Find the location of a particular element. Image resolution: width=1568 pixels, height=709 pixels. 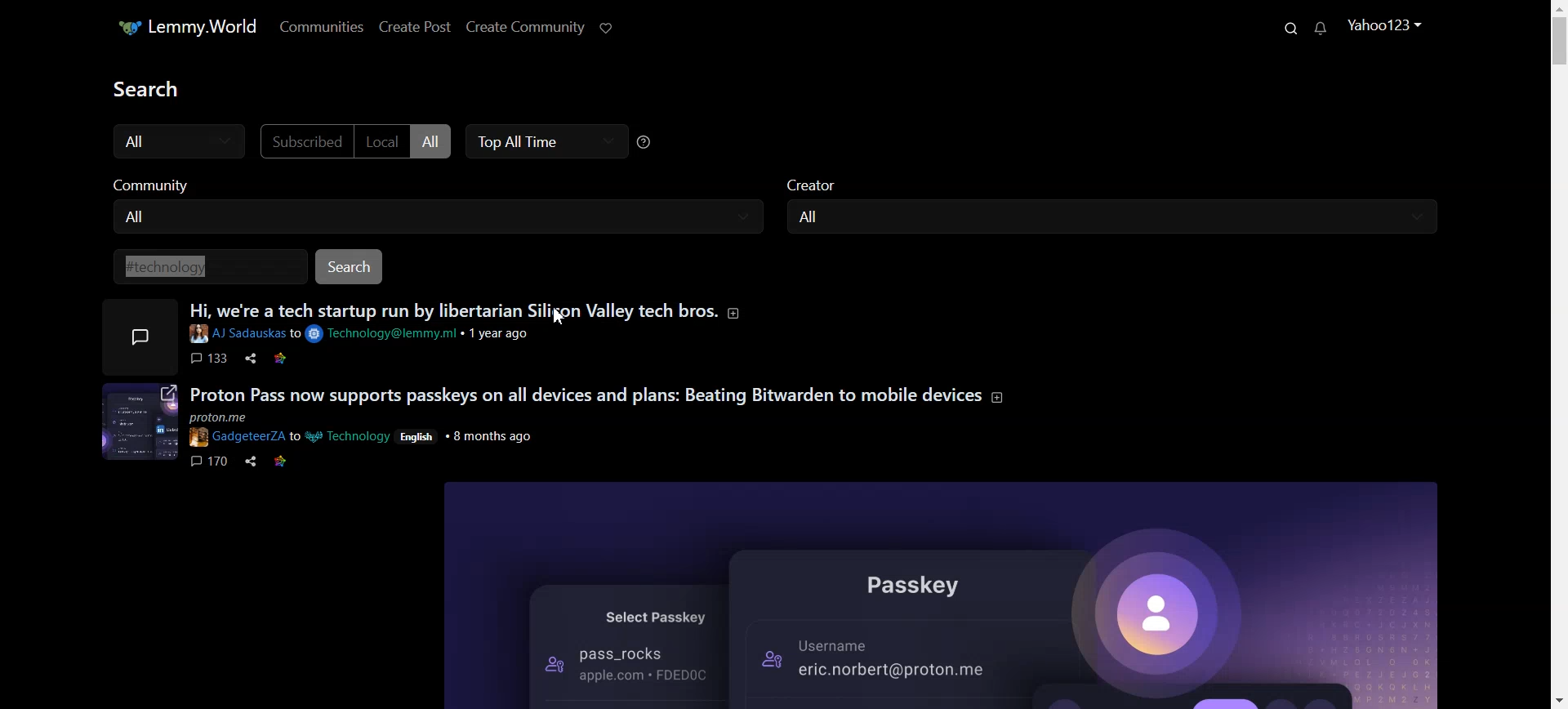

yahoo123 is located at coordinates (1383, 25).